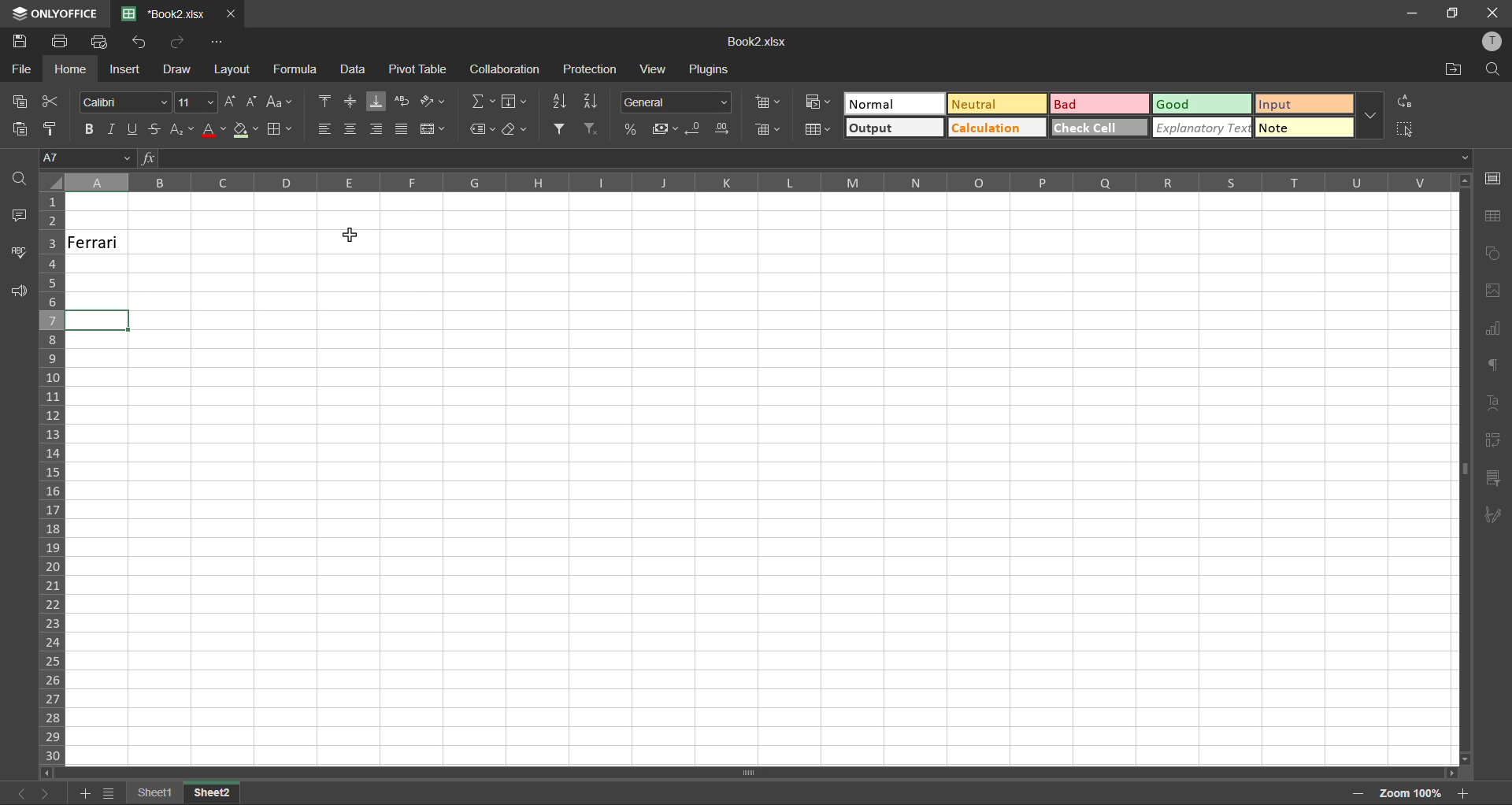 The height and width of the screenshot is (805, 1512). Describe the element at coordinates (353, 100) in the screenshot. I see `align center` at that location.